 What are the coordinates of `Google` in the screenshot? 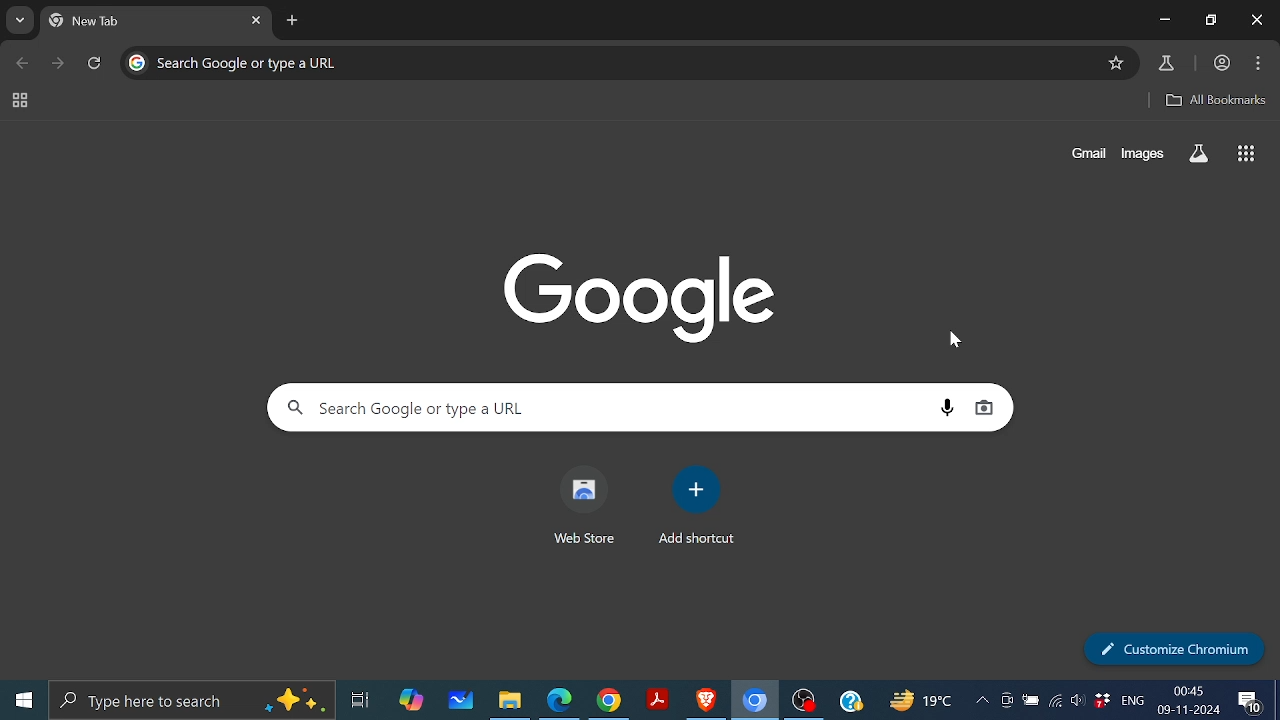 It's located at (646, 299).